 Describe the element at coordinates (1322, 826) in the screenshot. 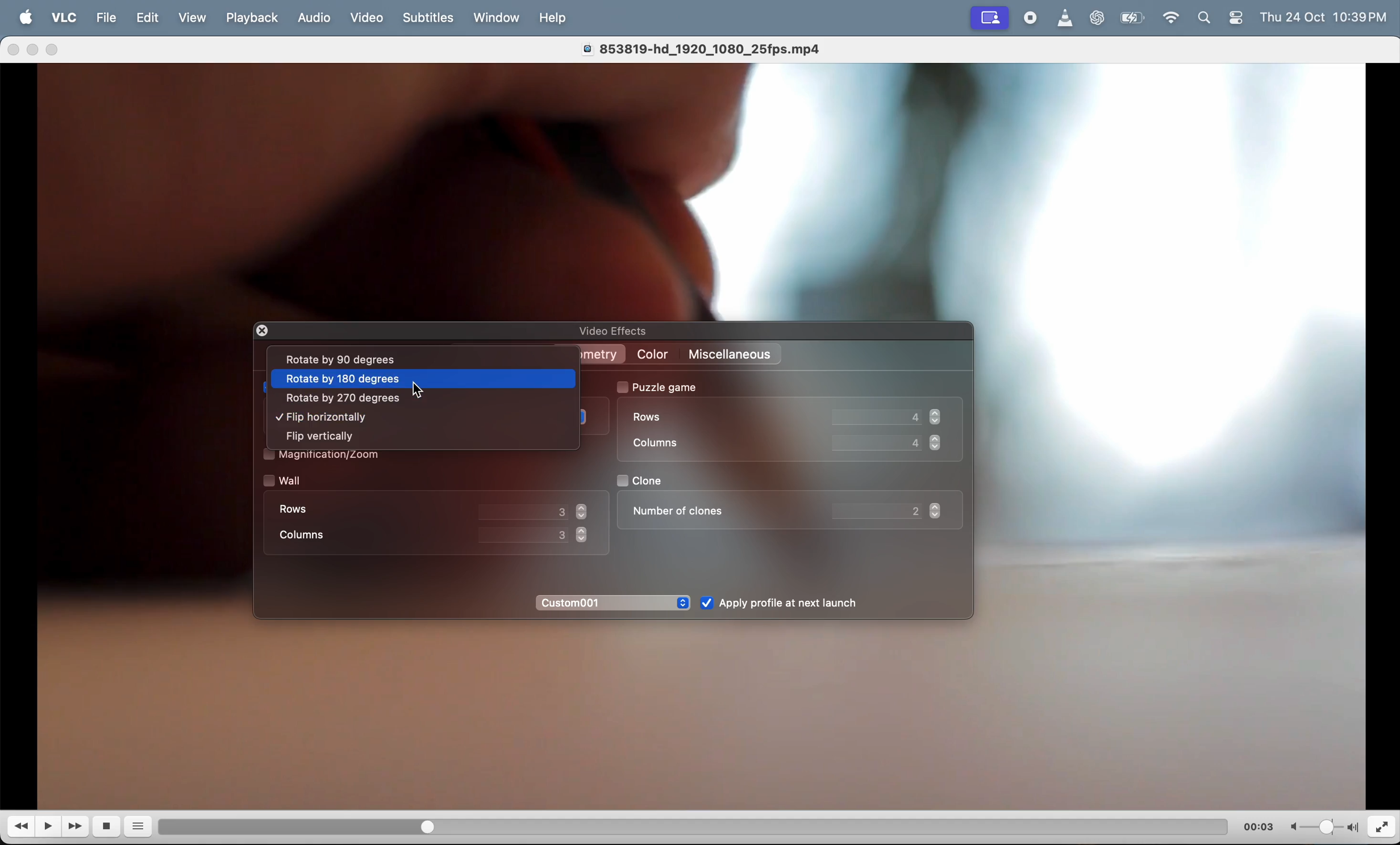

I see `volume ` at that location.